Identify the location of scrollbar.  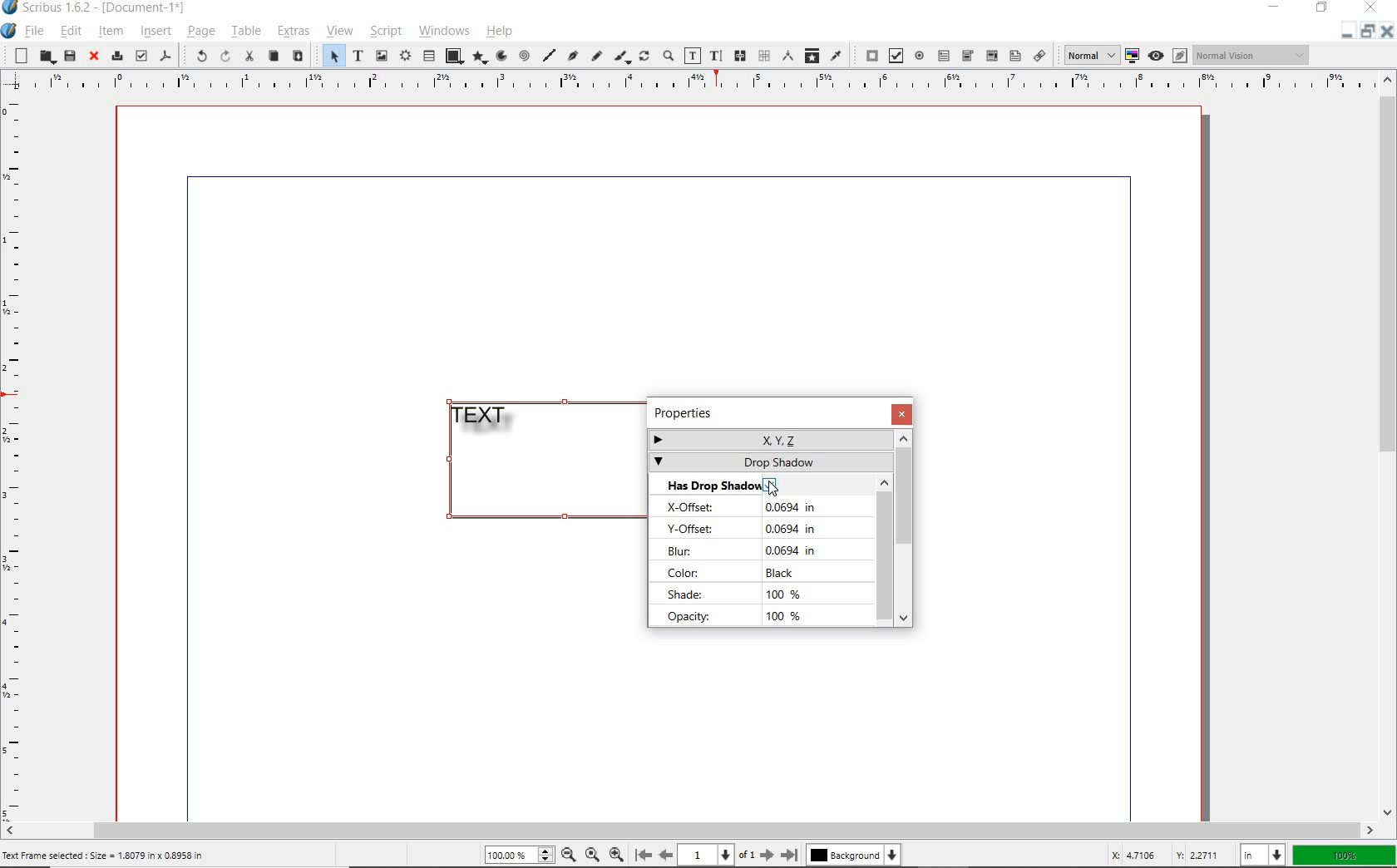
(690, 830).